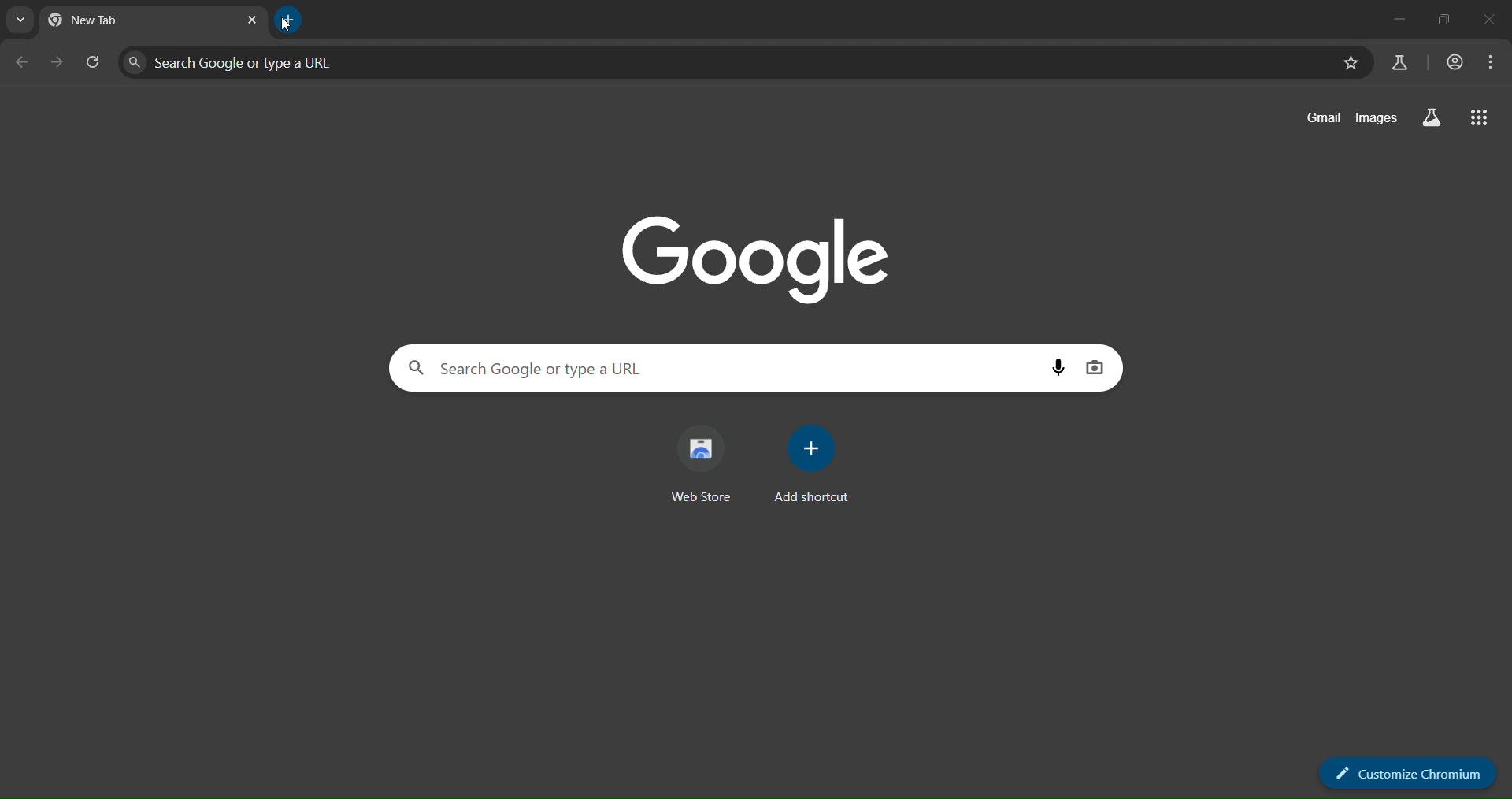 The image size is (1512, 799). I want to click on current tab, so click(98, 20).